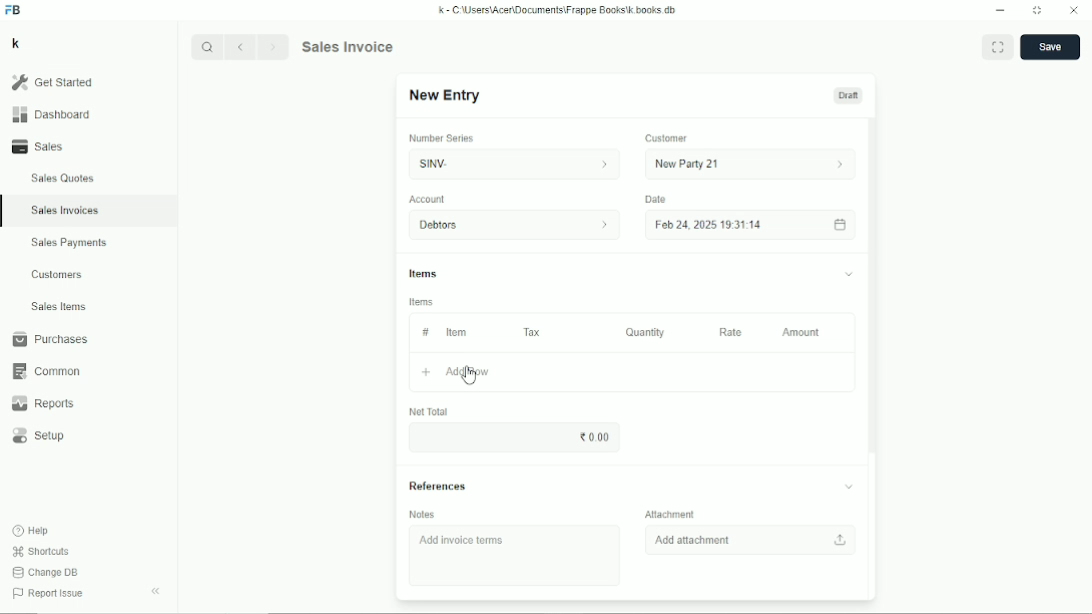 The image size is (1092, 614). I want to click on Quantity, so click(645, 332).